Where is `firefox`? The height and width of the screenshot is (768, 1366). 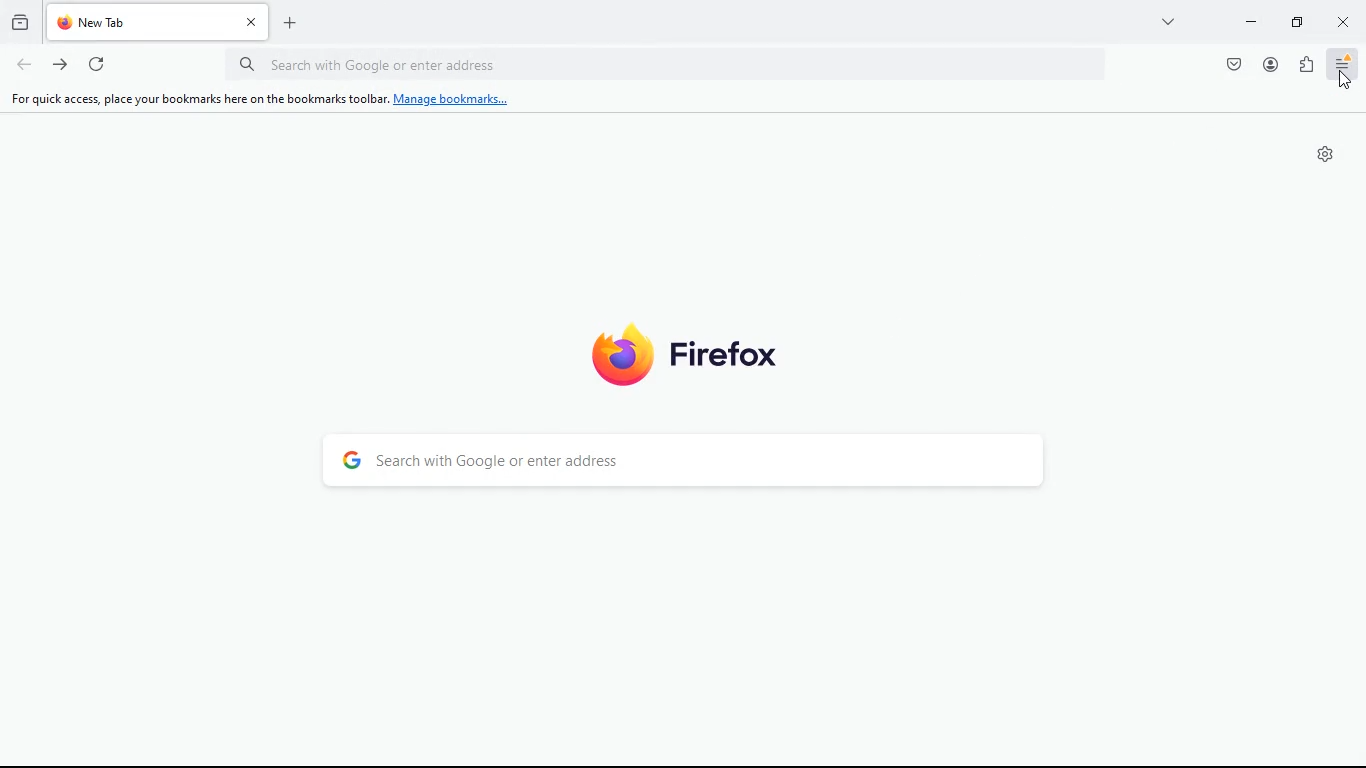 firefox is located at coordinates (710, 350).